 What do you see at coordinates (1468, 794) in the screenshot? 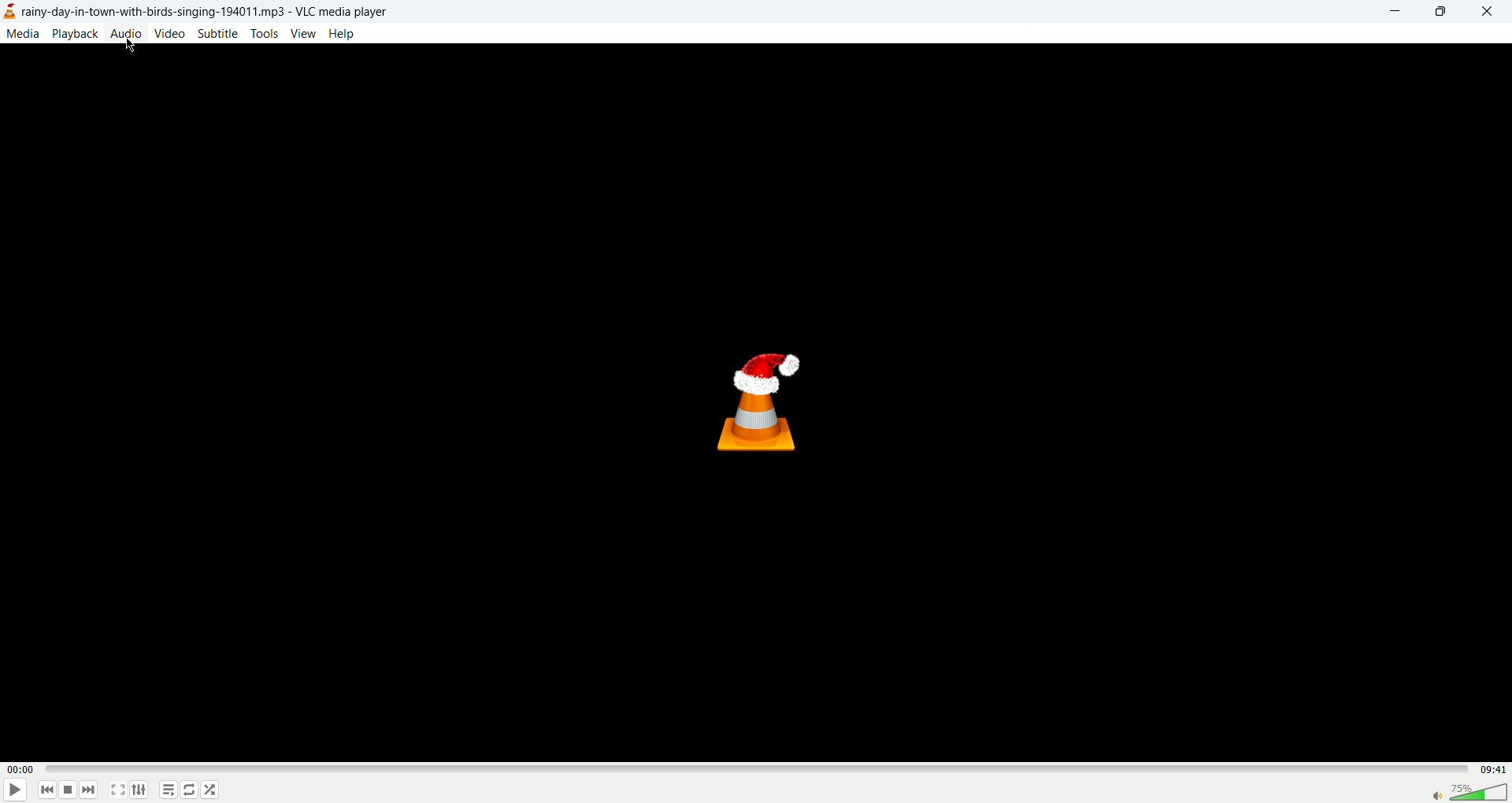
I see `volume bar` at bounding box center [1468, 794].